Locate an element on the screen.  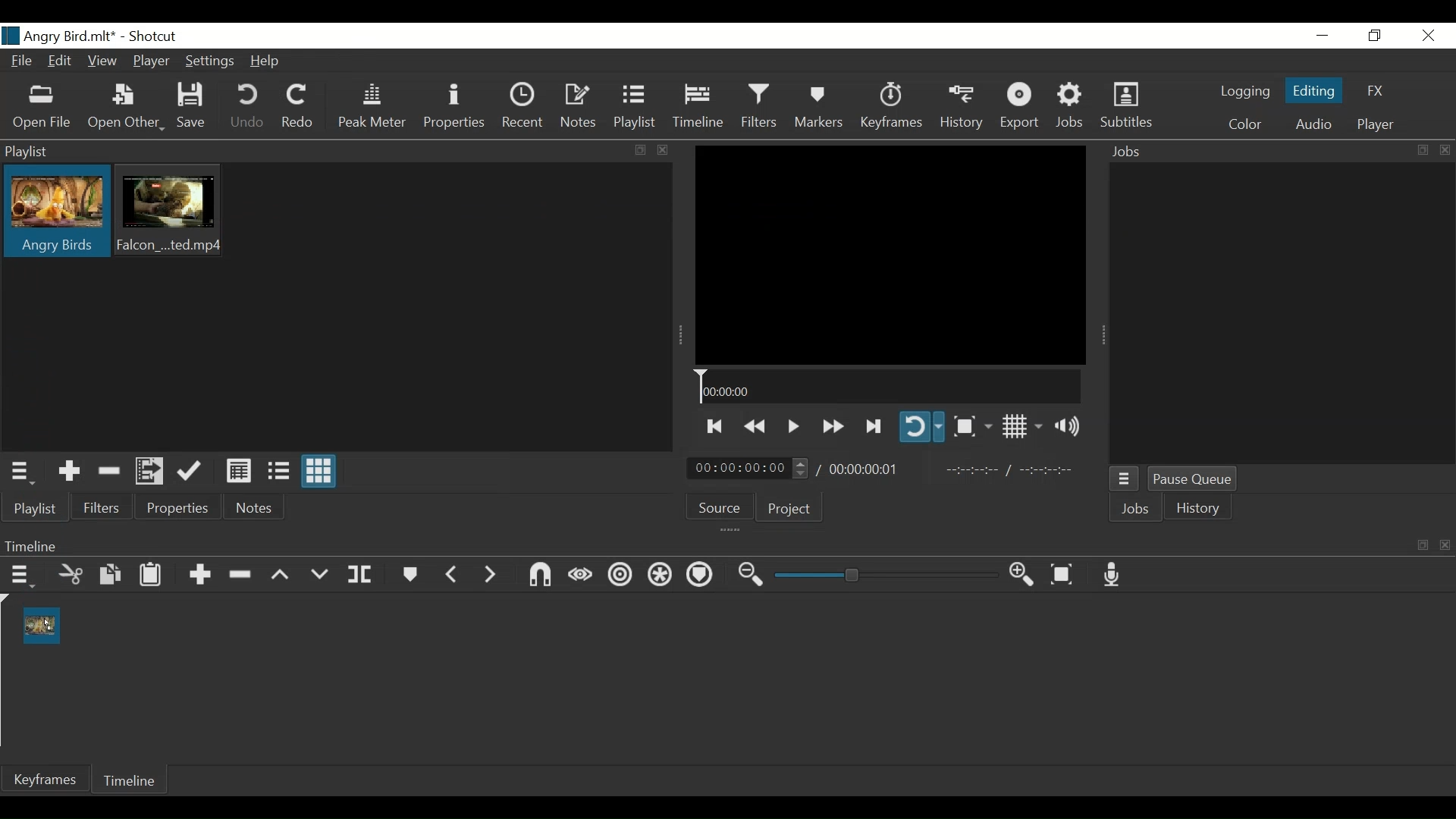
Jobs is located at coordinates (1072, 108).